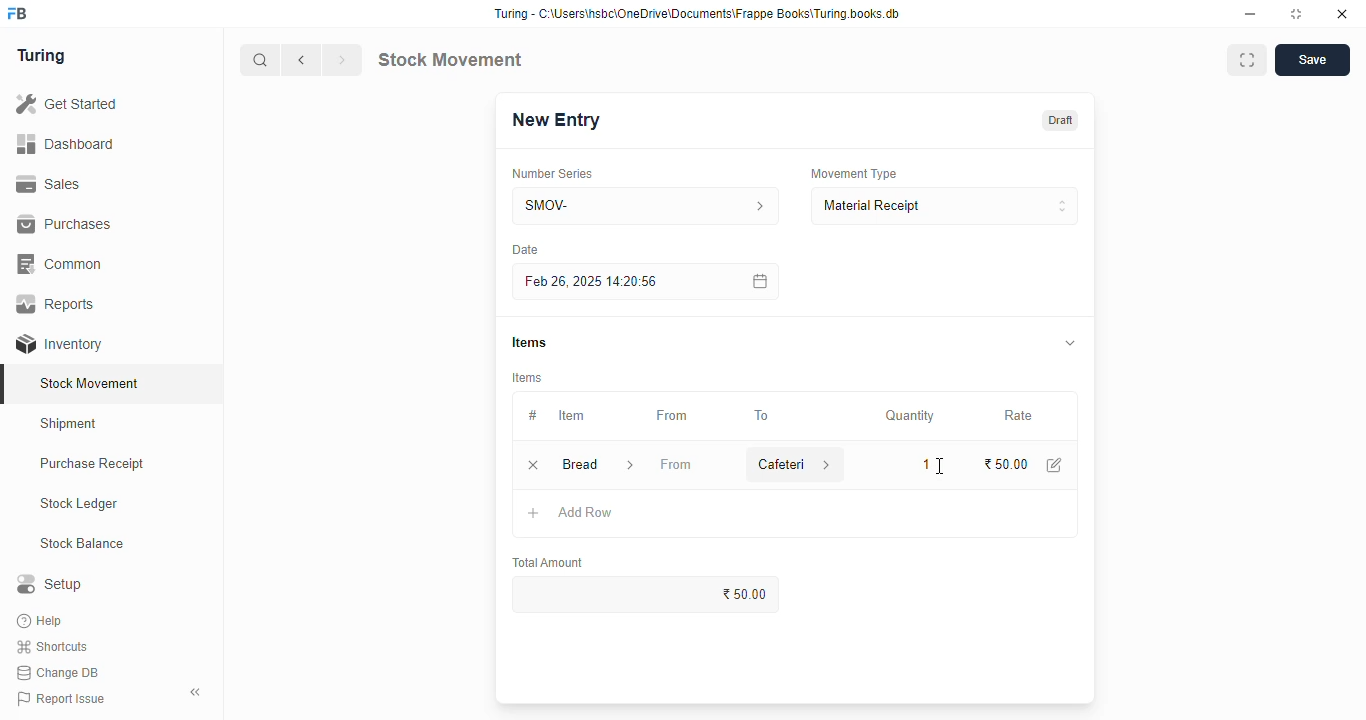 The height and width of the screenshot is (720, 1366). What do you see at coordinates (92, 463) in the screenshot?
I see `purchase receipt` at bounding box center [92, 463].